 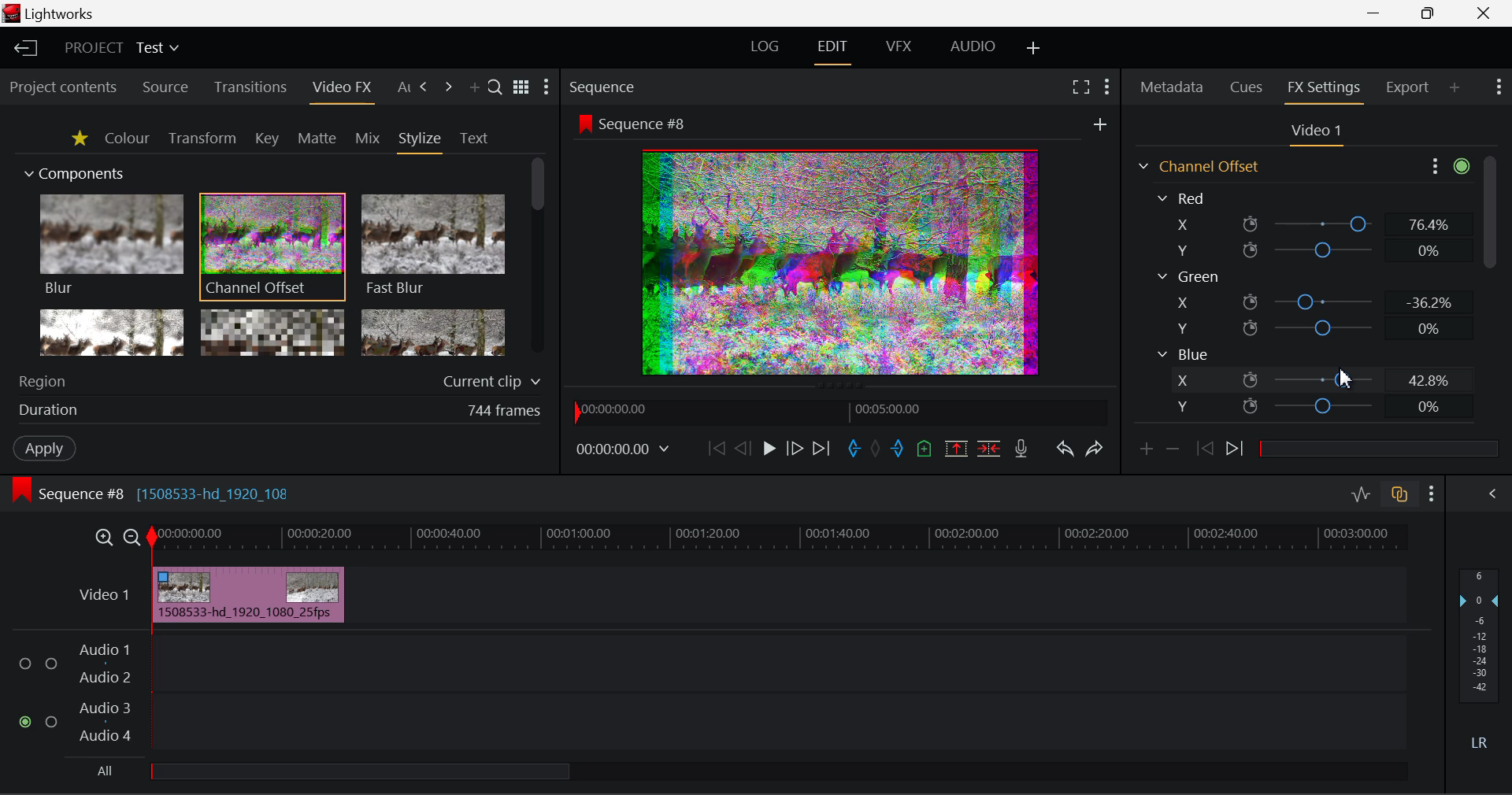 What do you see at coordinates (1447, 167) in the screenshot?
I see `Show Settings` at bounding box center [1447, 167].